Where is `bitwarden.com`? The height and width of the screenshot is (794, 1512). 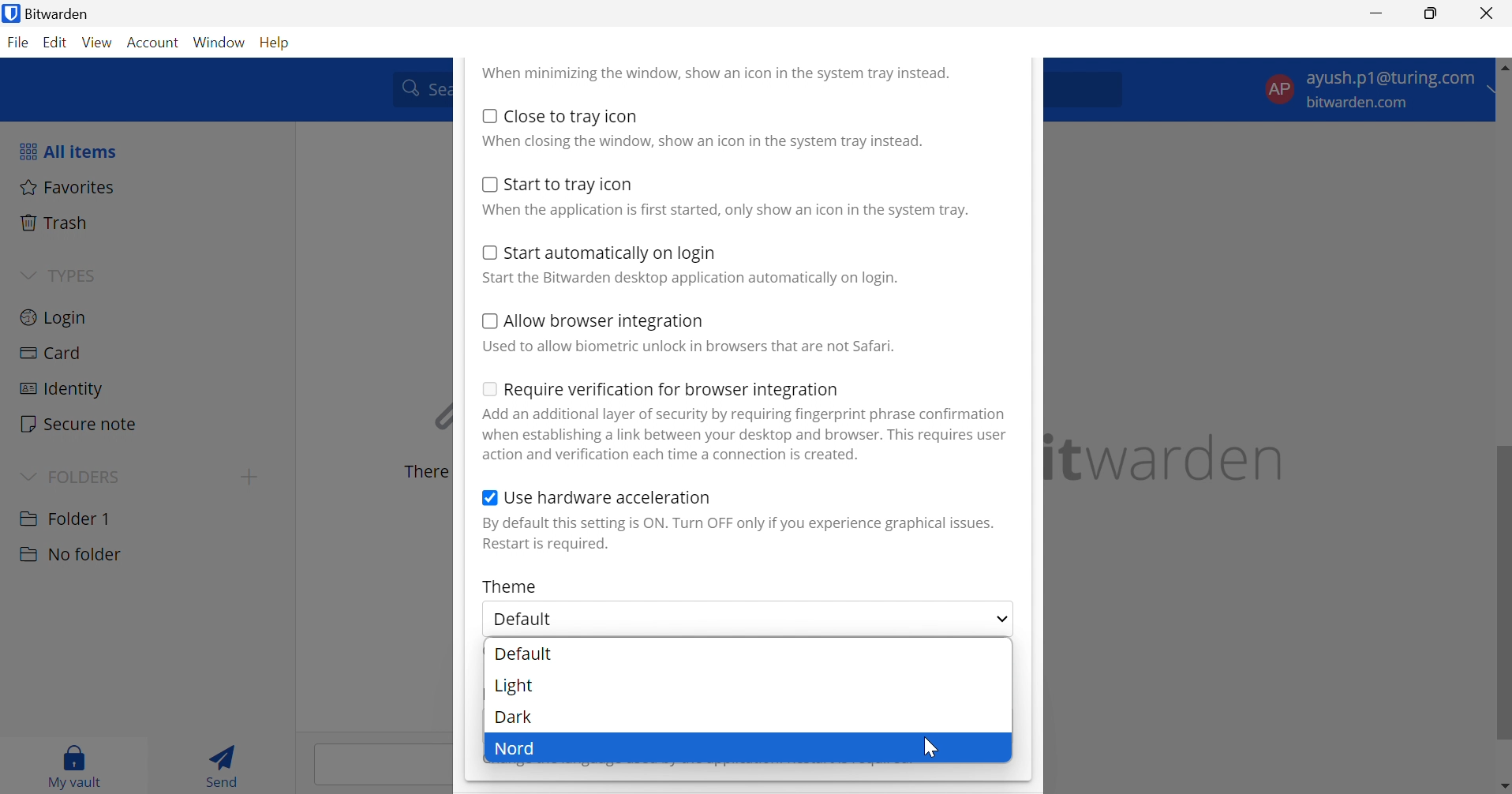
bitwarden.com is located at coordinates (1361, 103).